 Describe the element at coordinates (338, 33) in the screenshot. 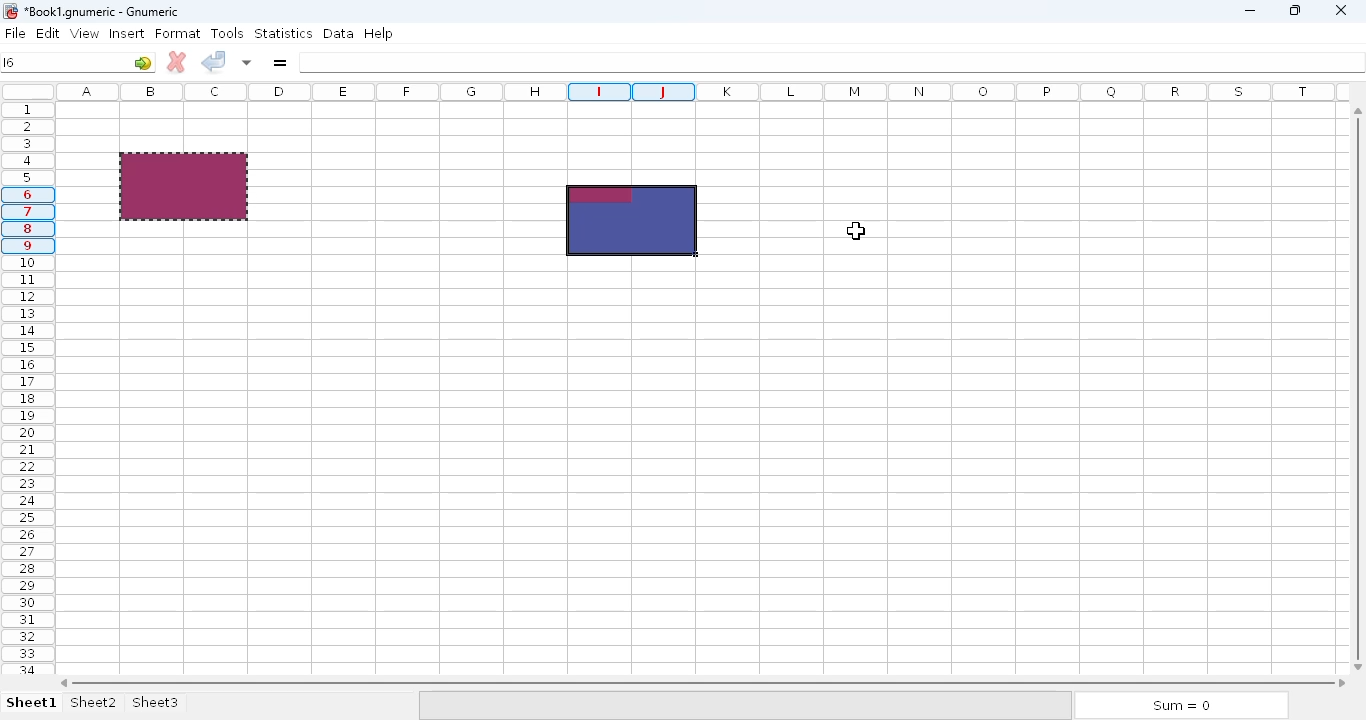

I see `data` at that location.